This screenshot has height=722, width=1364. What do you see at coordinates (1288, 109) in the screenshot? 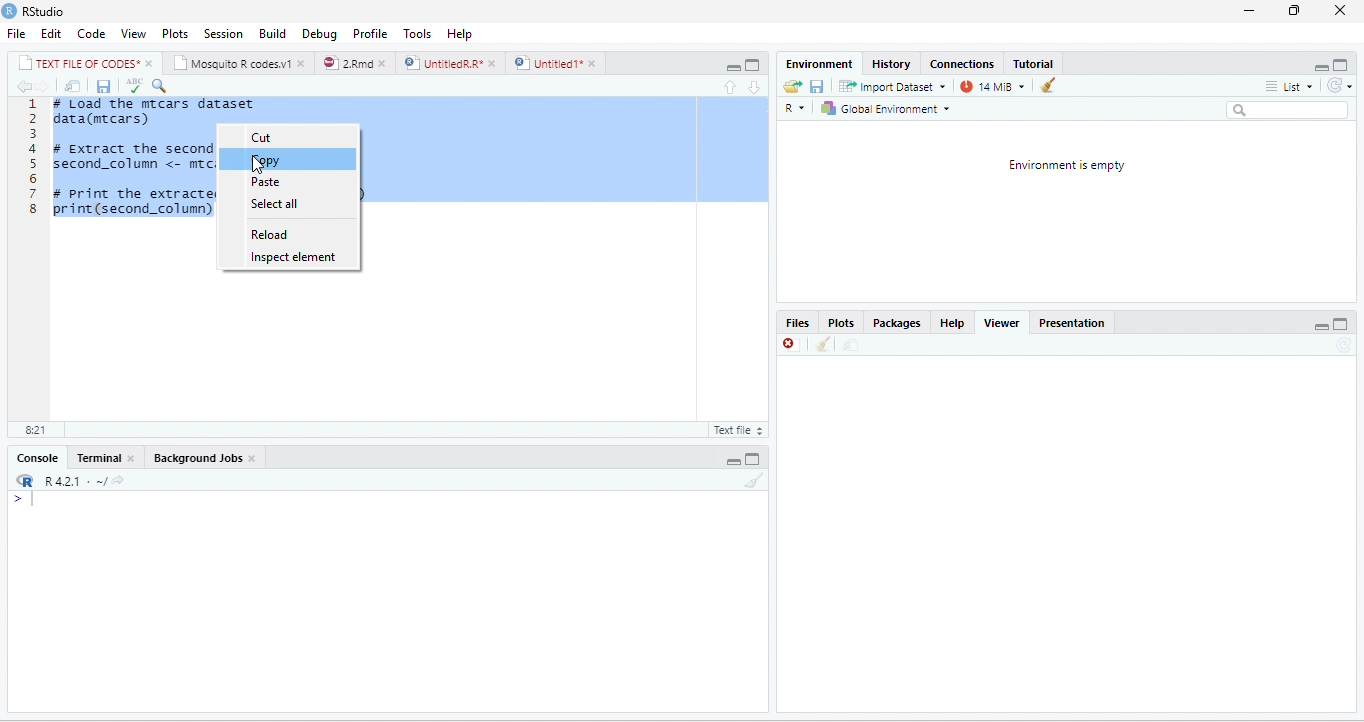
I see `search` at bounding box center [1288, 109].